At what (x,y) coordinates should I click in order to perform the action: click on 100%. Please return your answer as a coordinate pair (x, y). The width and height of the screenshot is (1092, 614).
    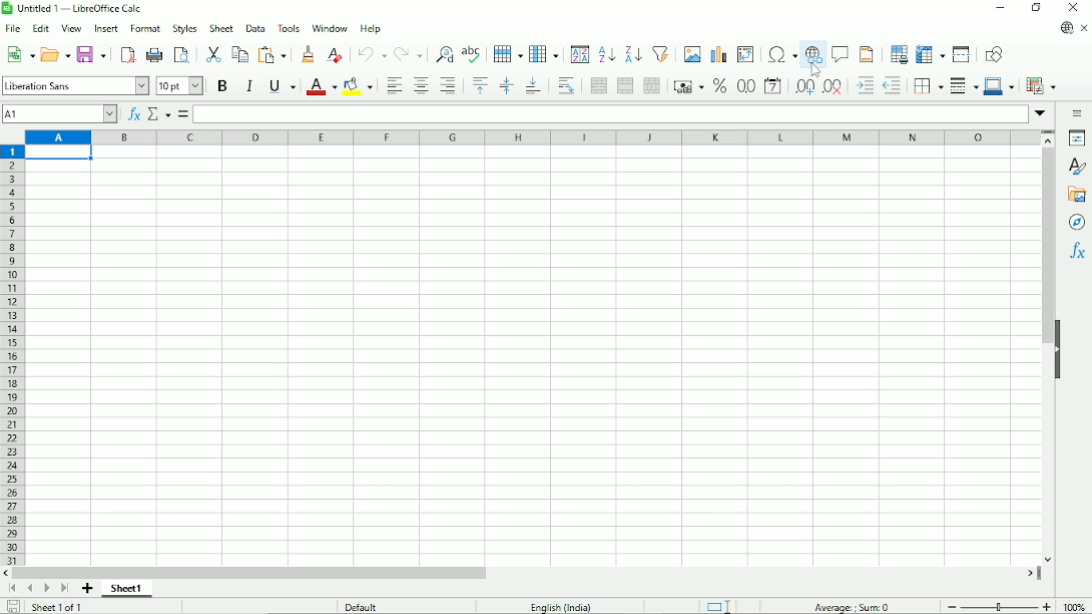
    Looking at the image, I should click on (1078, 606).